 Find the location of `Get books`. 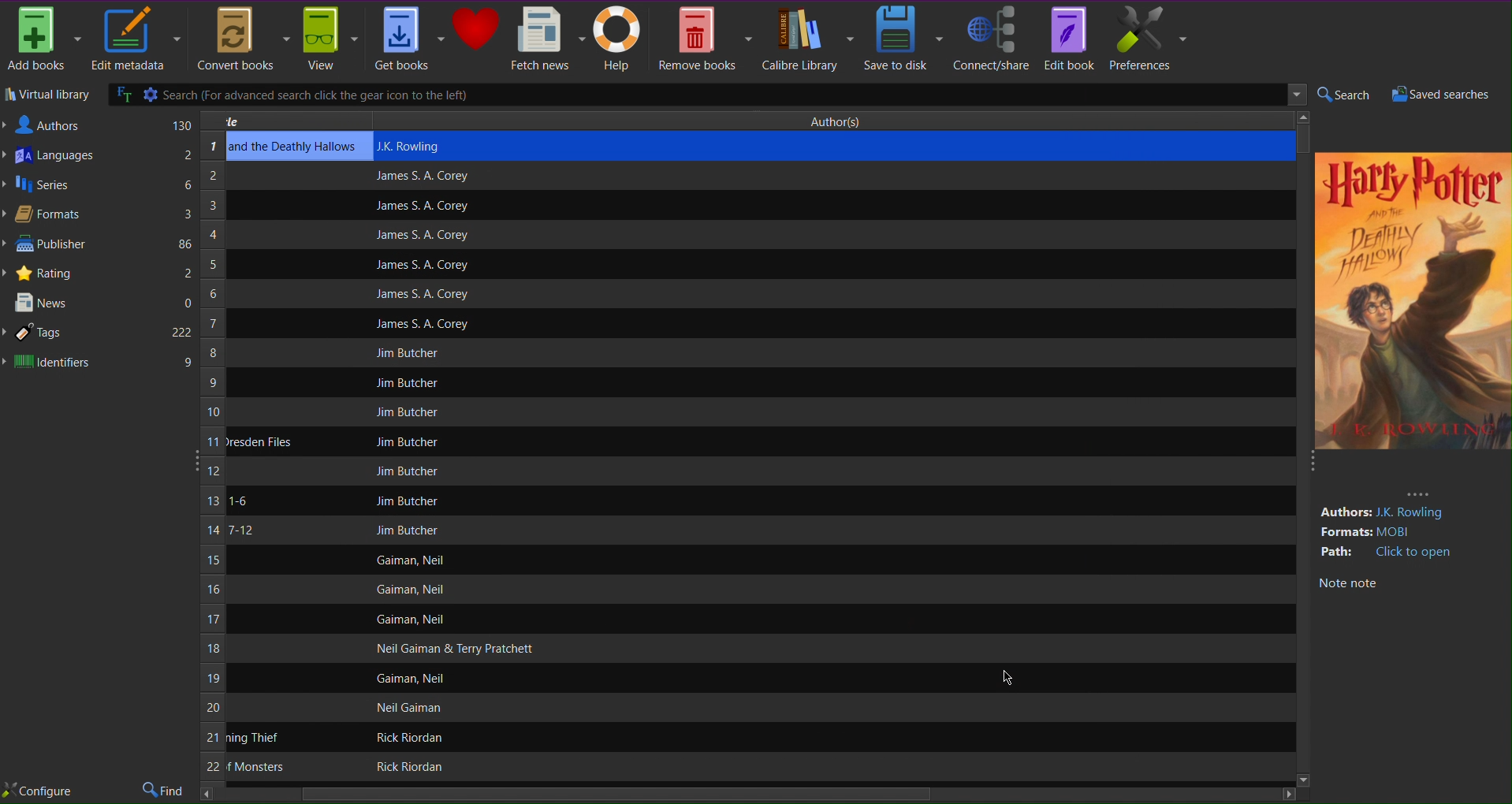

Get books is located at coordinates (409, 39).